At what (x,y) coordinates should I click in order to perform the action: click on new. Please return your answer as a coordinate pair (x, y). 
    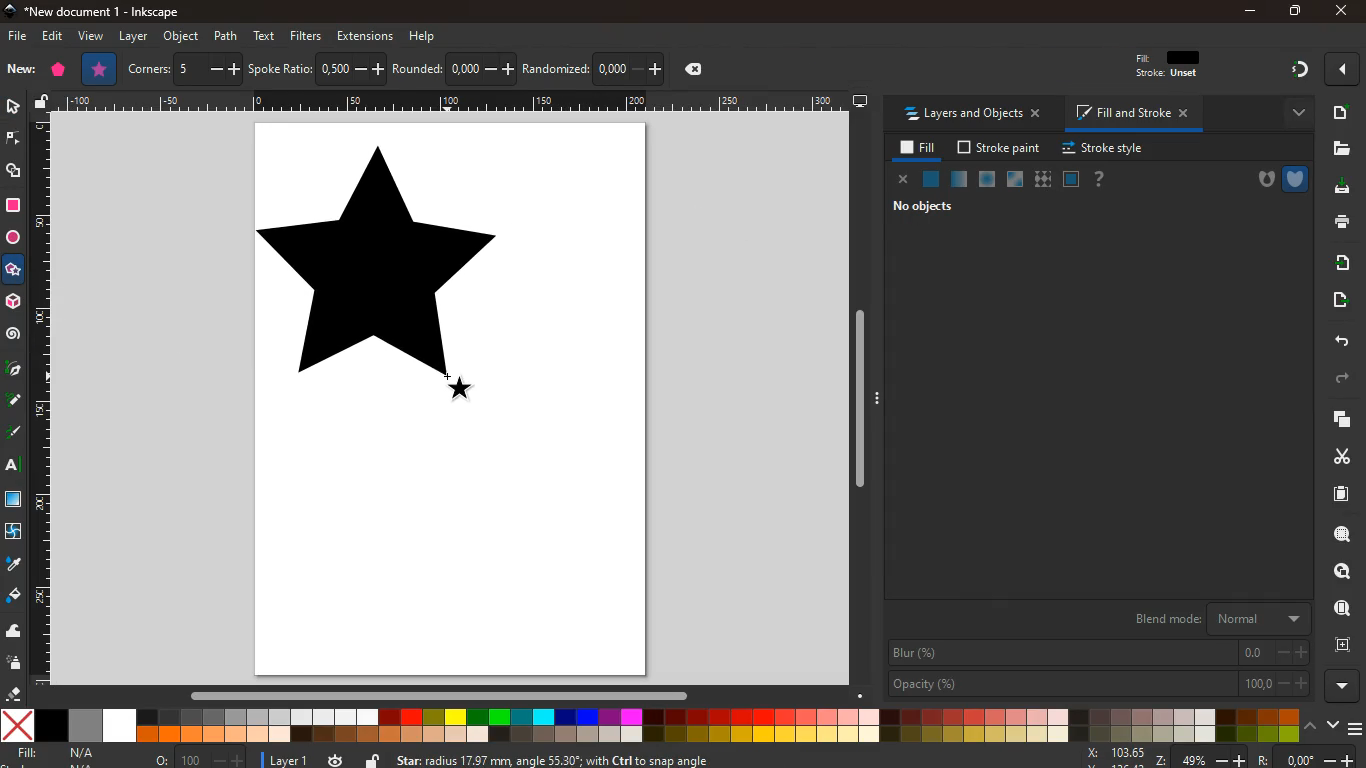
    Looking at the image, I should click on (1337, 114).